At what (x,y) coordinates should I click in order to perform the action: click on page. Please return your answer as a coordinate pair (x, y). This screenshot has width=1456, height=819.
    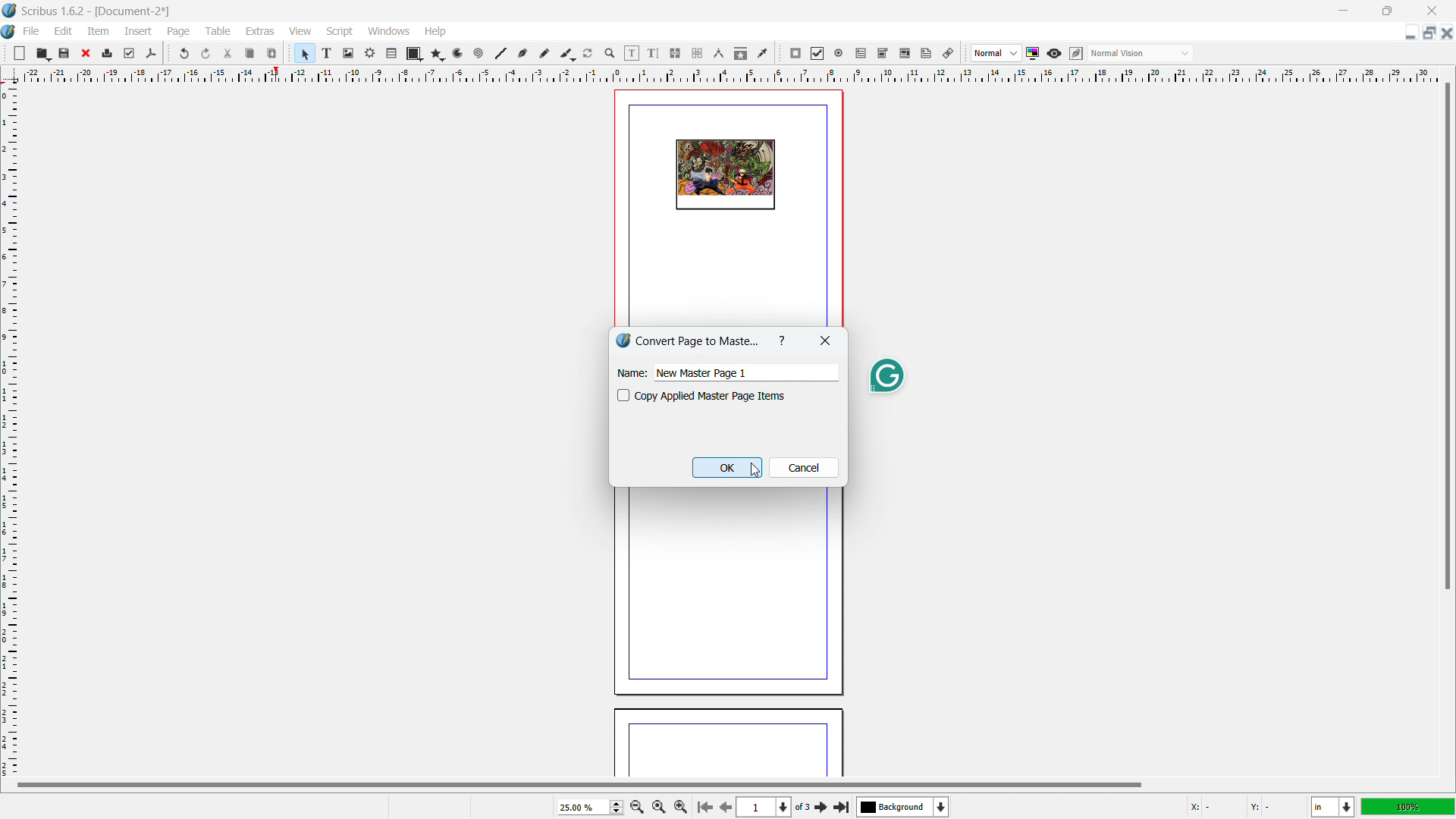
    Looking at the image, I should click on (725, 592).